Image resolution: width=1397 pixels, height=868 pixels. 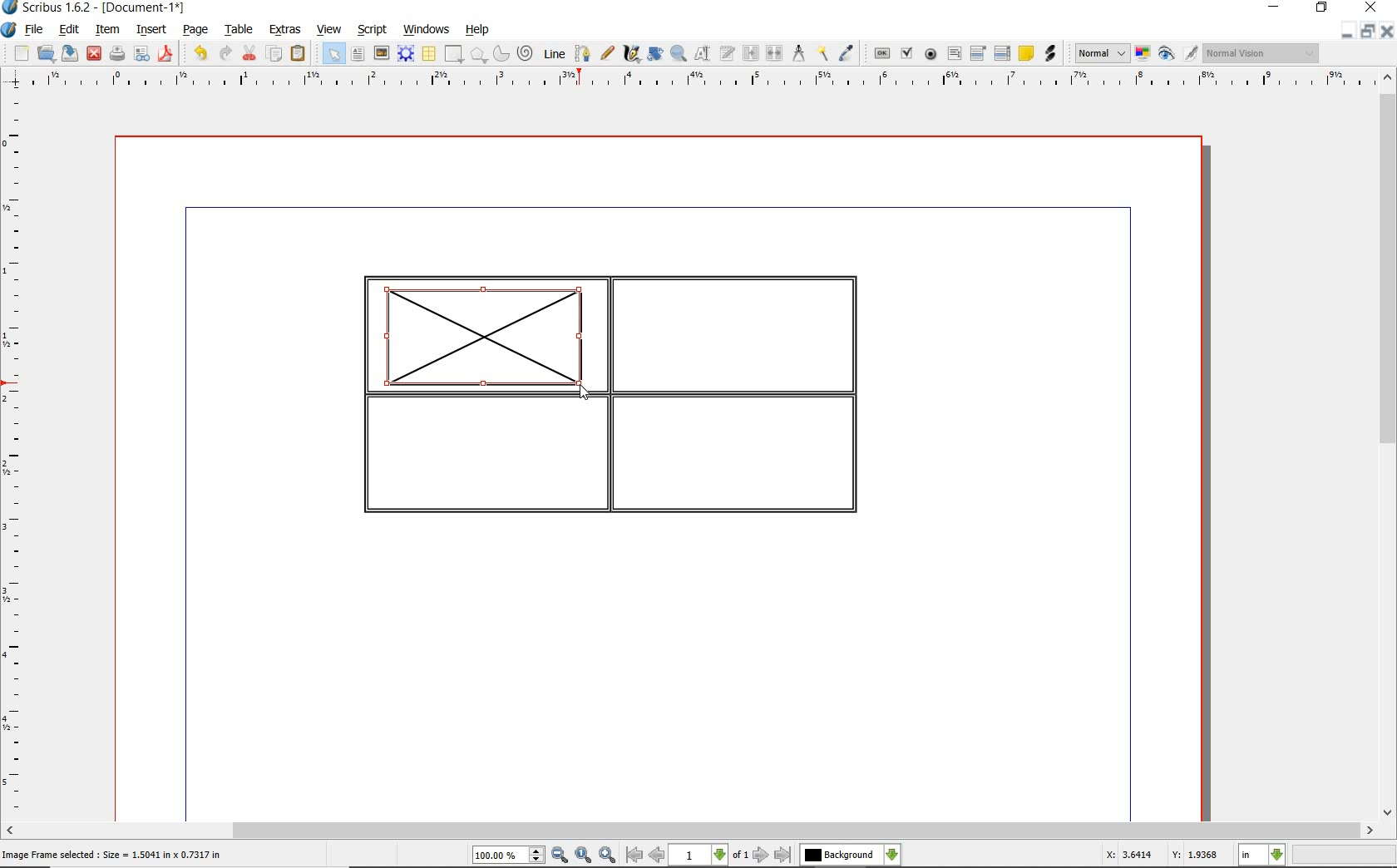 I want to click on measurements, so click(x=799, y=53).